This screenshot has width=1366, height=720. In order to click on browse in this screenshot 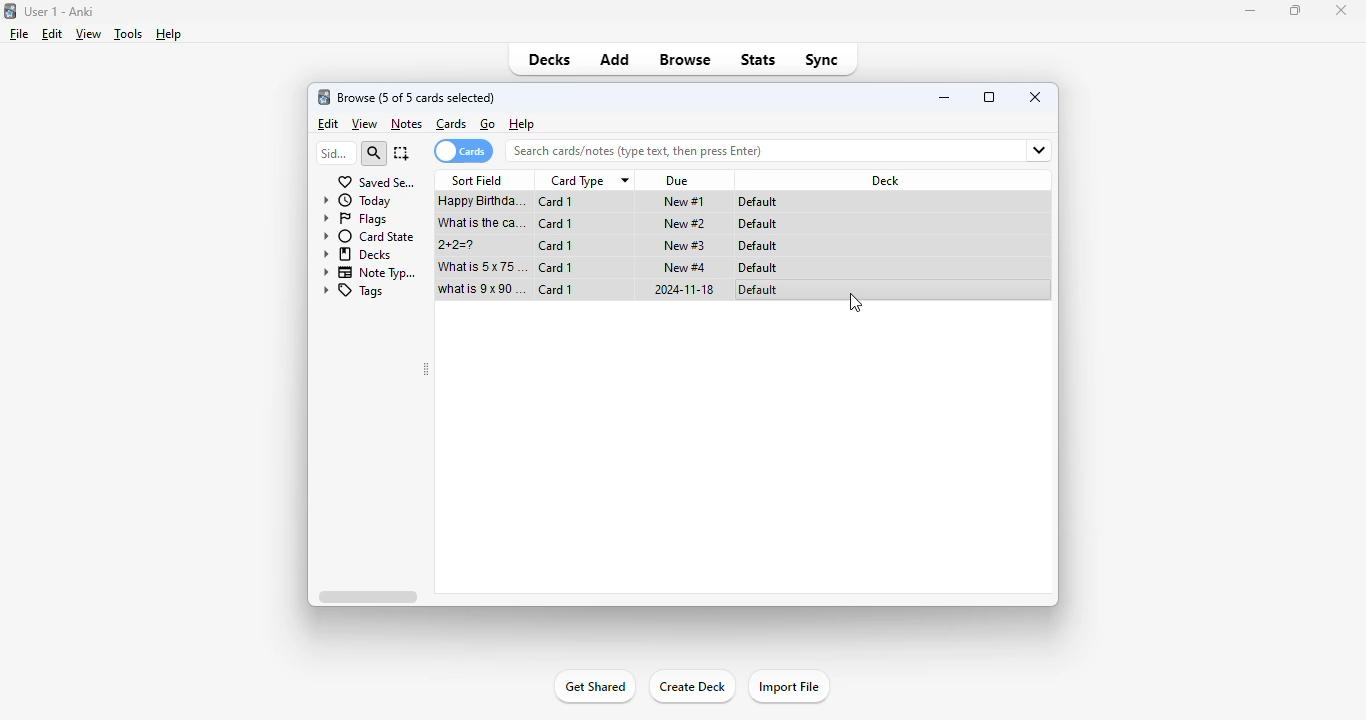, I will do `click(685, 59)`.